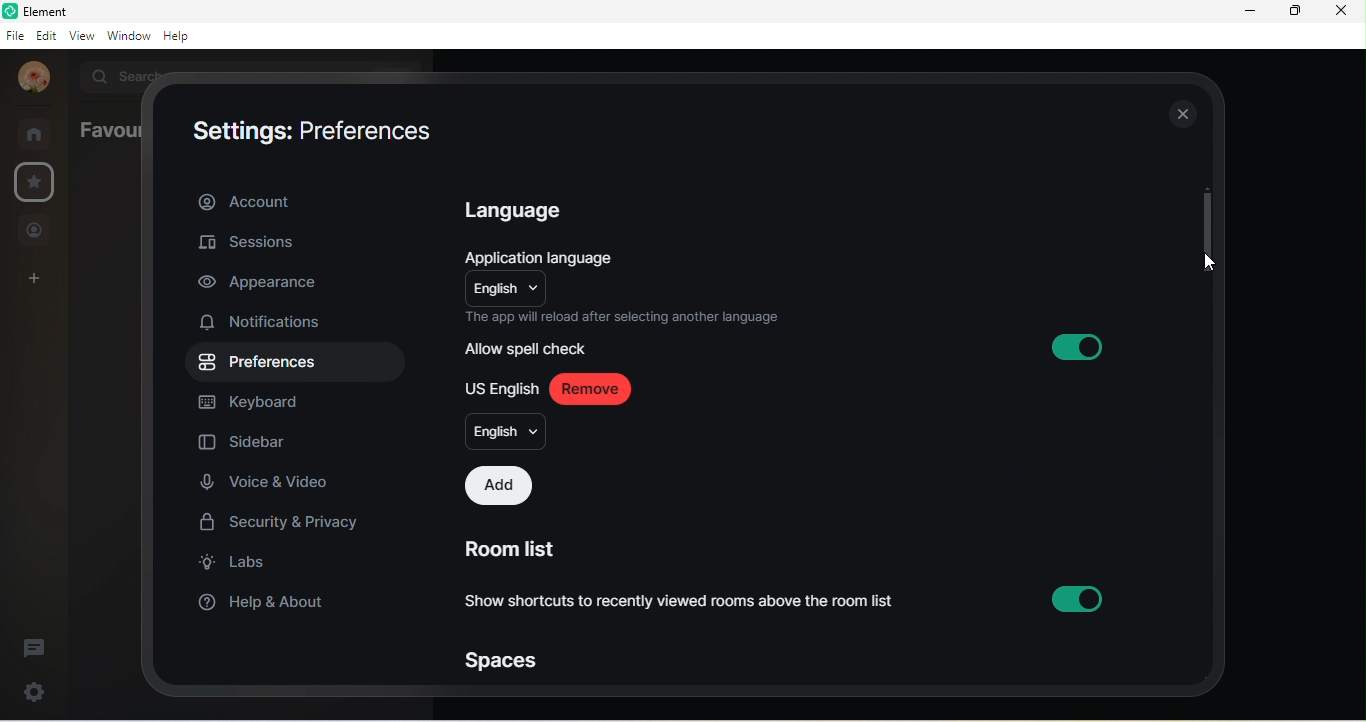 The image size is (1366, 722). Describe the element at coordinates (245, 445) in the screenshot. I see `sidebar` at that location.